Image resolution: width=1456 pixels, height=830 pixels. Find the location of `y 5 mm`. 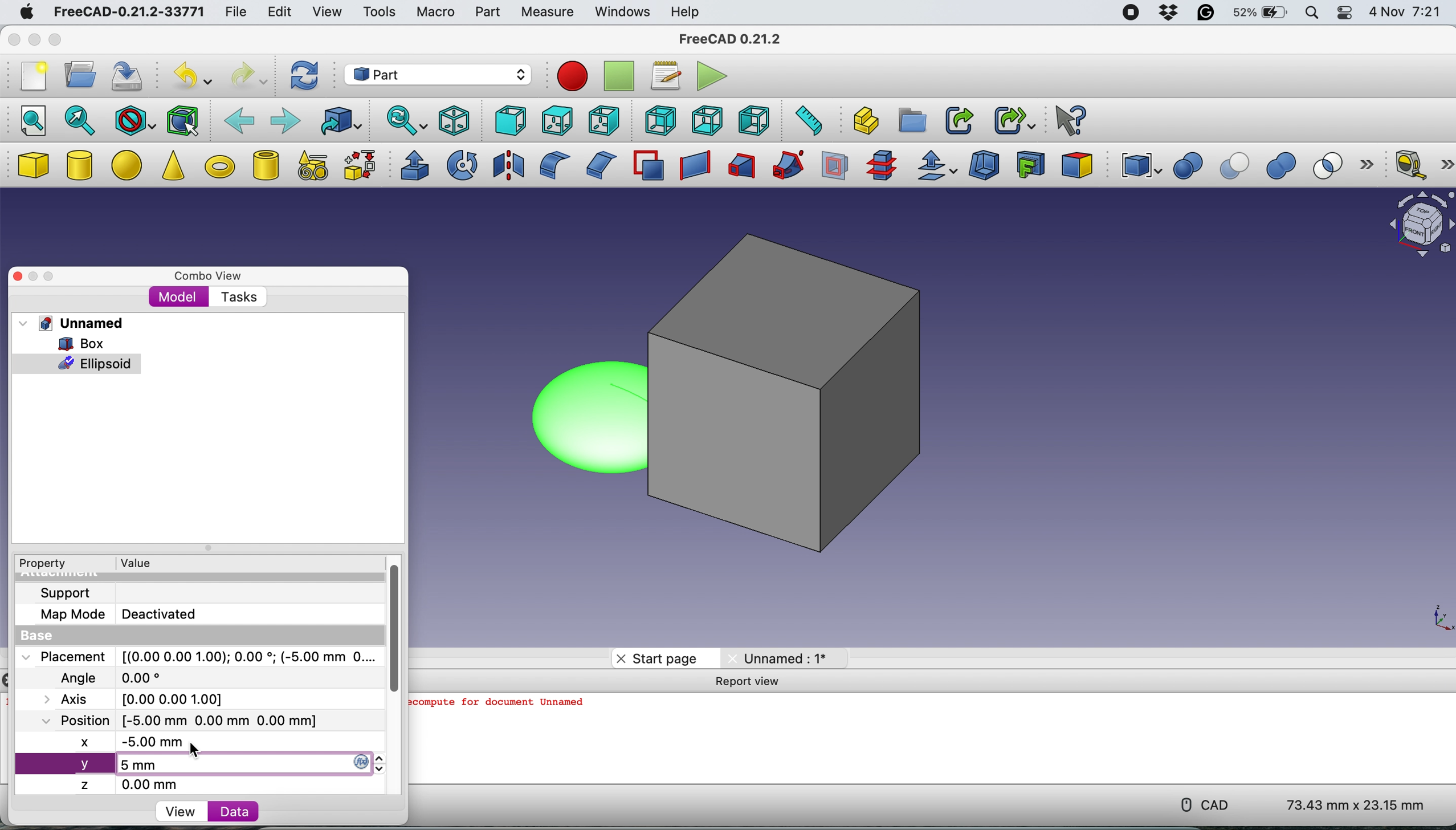

y 5 mm is located at coordinates (199, 765).